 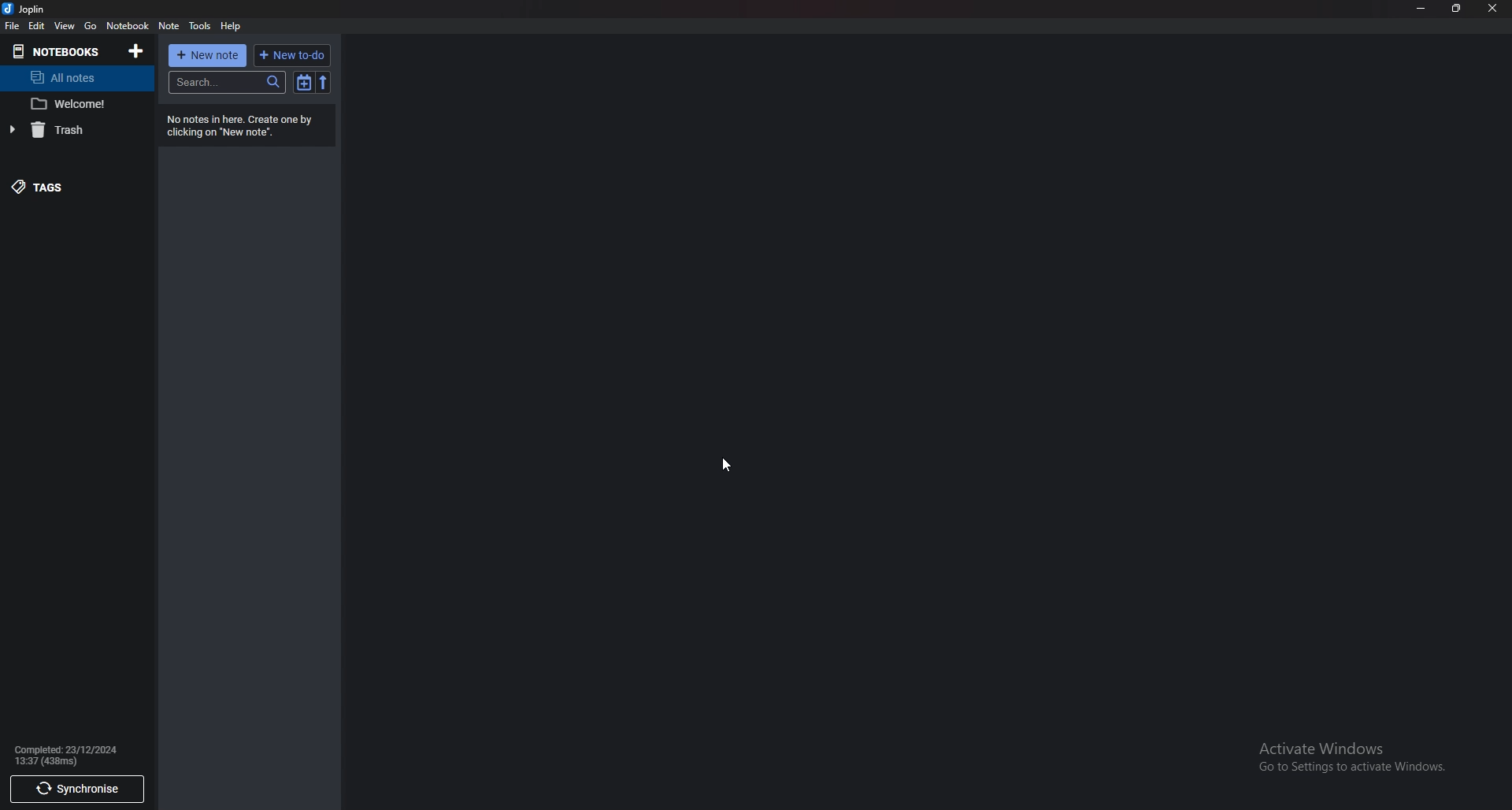 What do you see at coordinates (247, 125) in the screenshot?
I see `No notes here. Created one by clicking on "New cote".` at bounding box center [247, 125].